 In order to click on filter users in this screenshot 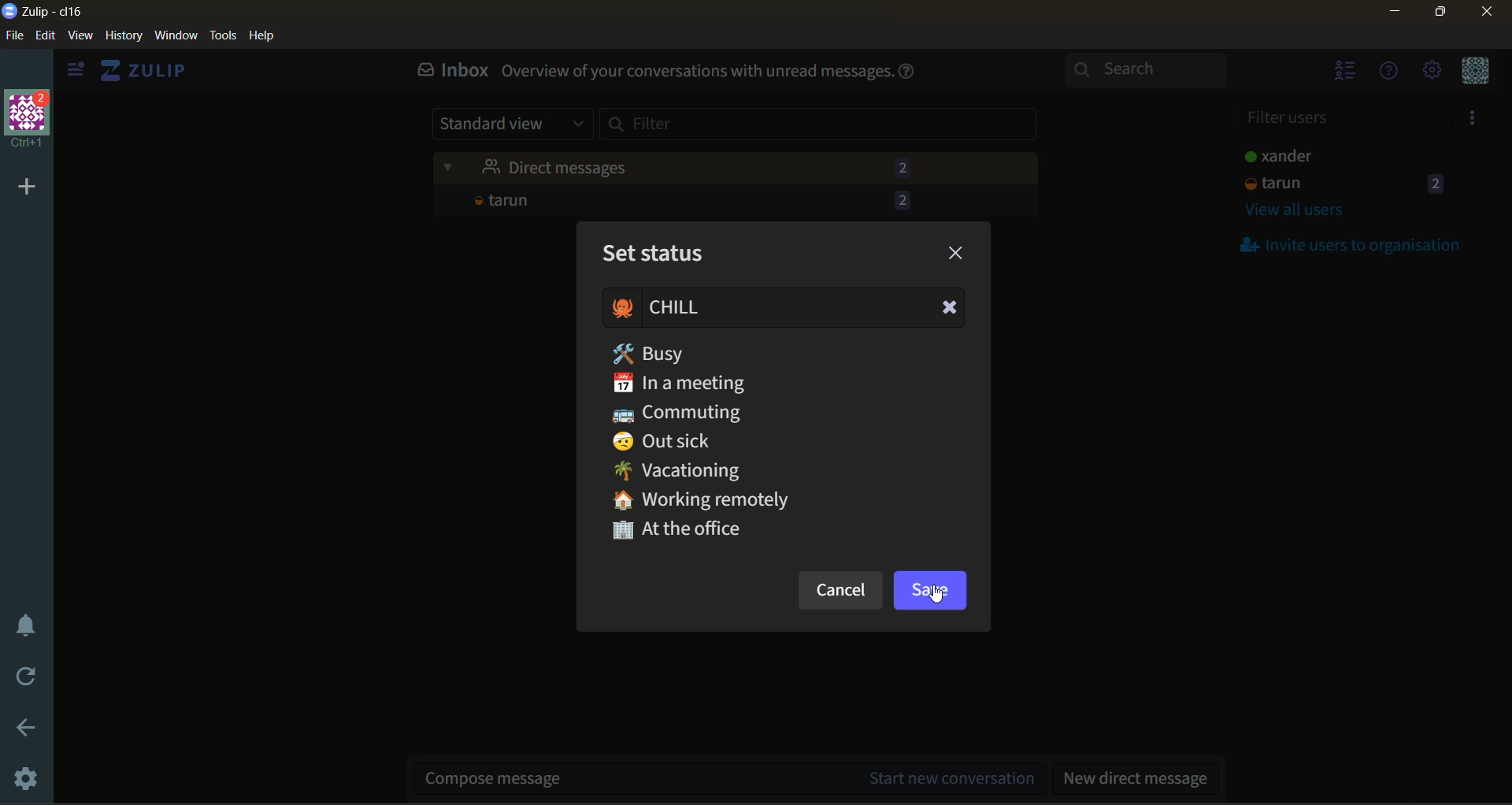, I will do `click(1343, 118)`.